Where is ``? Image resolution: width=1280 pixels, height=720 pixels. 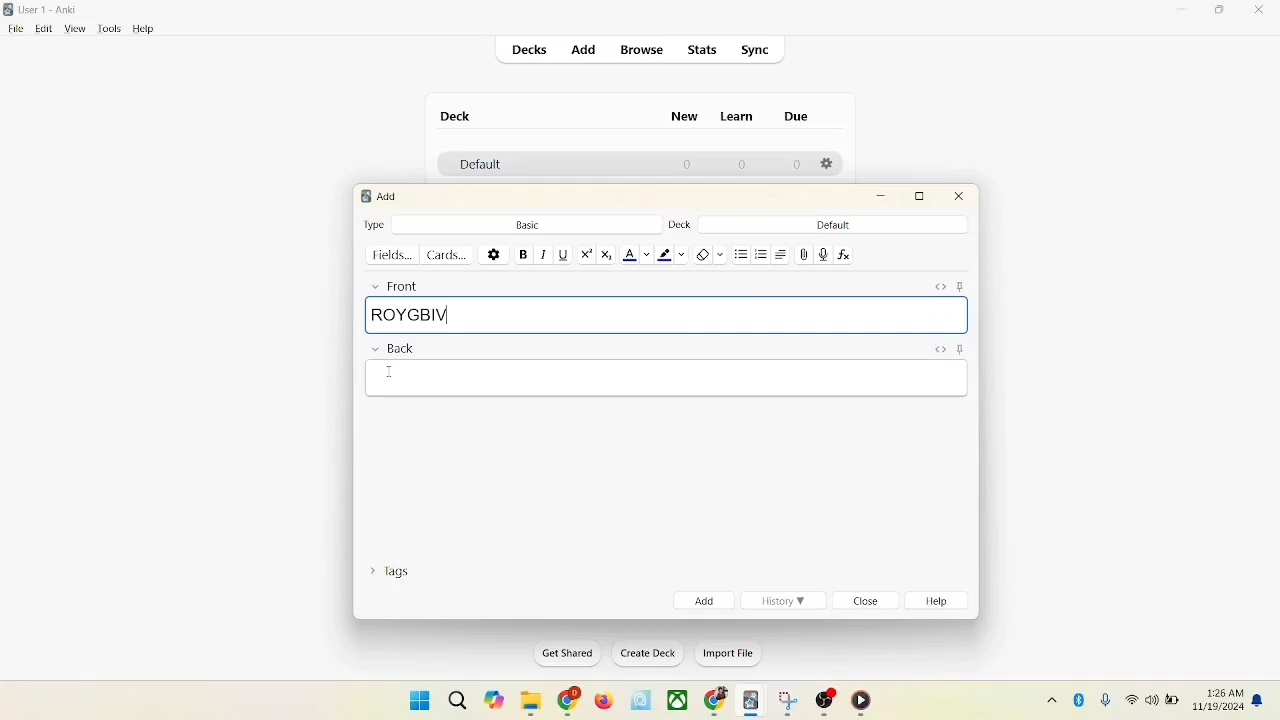
 is located at coordinates (743, 168).